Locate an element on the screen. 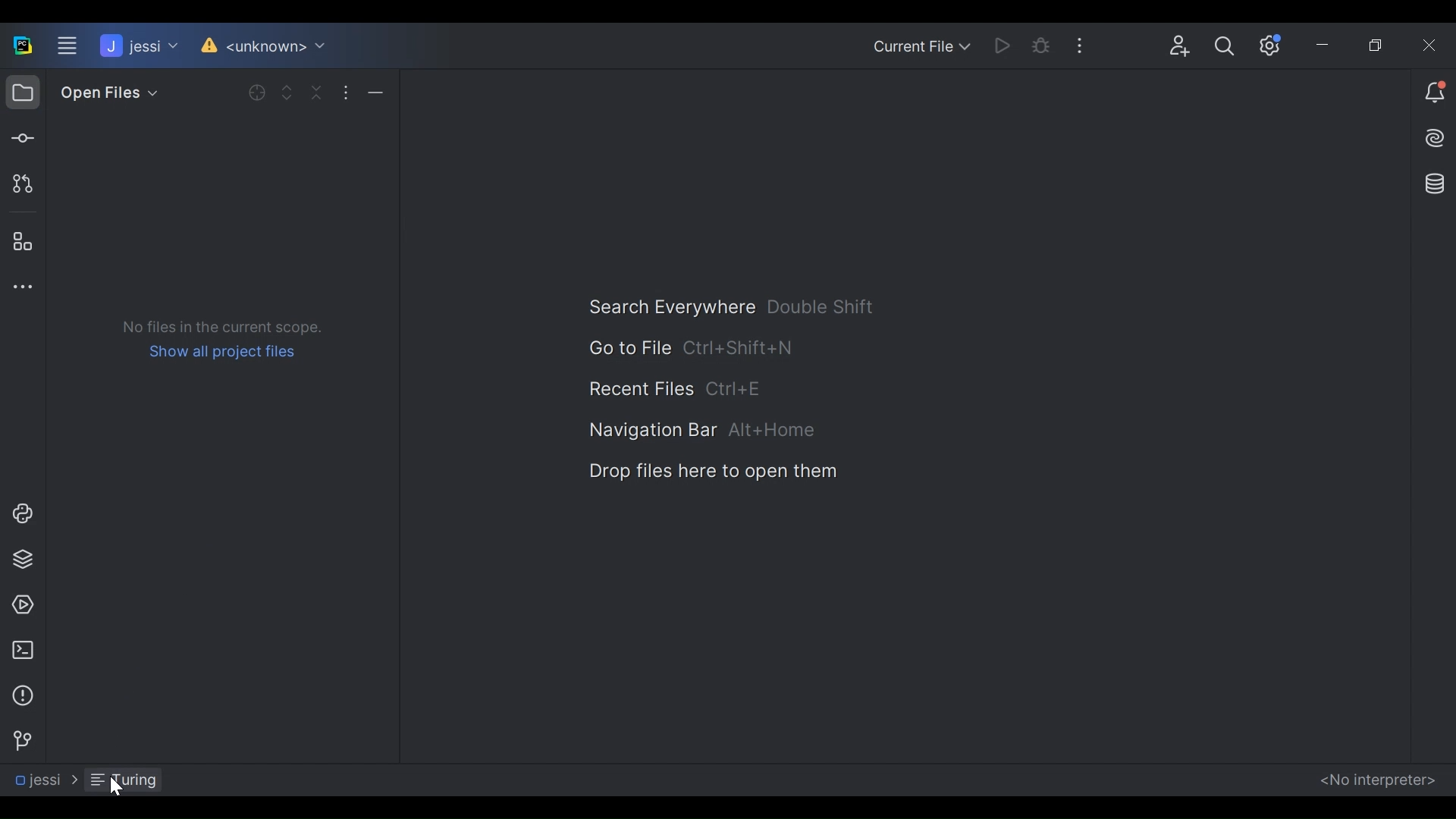 The width and height of the screenshot is (1456, 819). Navigation Bar Shortcut is located at coordinates (698, 430).